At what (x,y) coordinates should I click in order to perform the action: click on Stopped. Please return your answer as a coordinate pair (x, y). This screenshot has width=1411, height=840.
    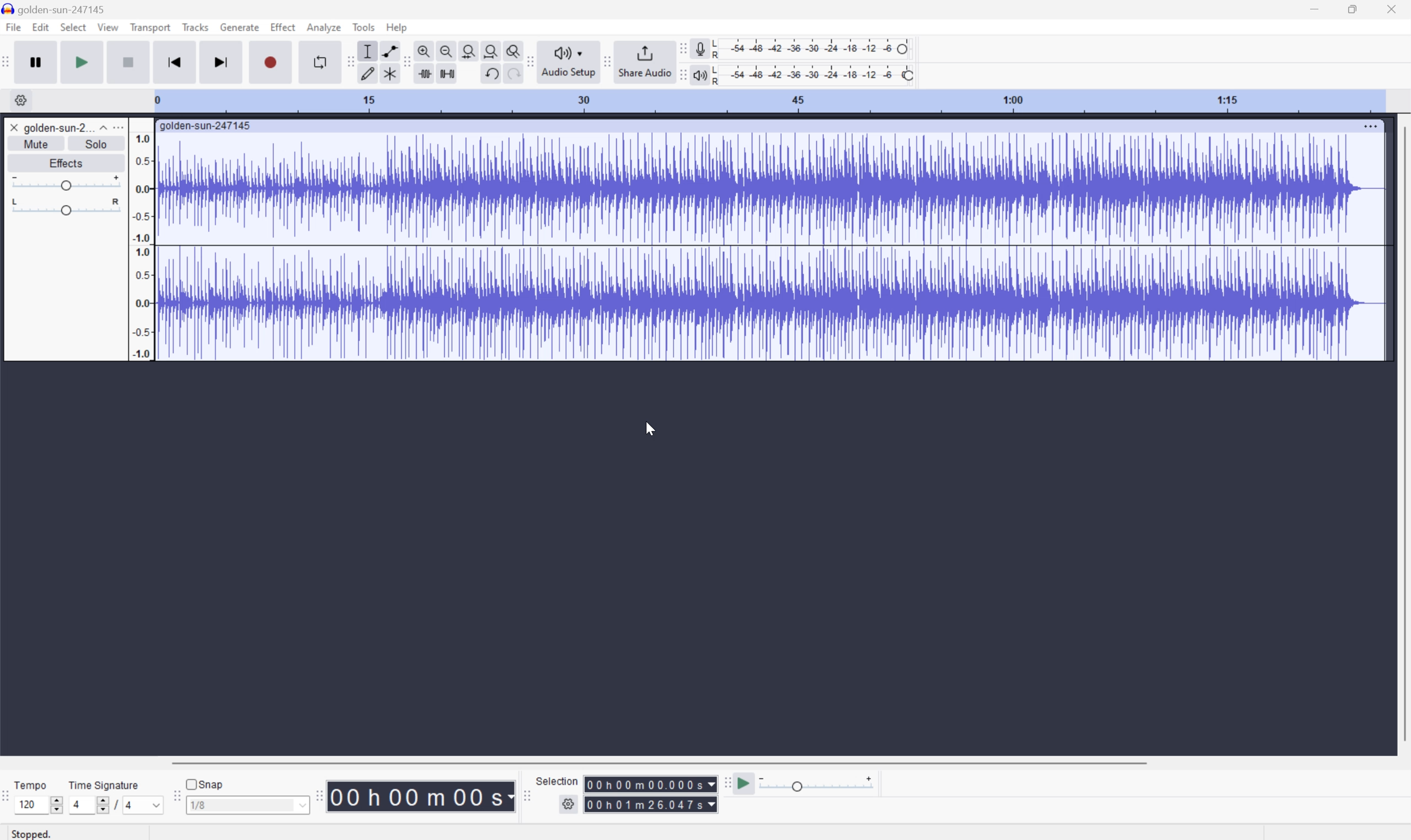
    Looking at the image, I should click on (33, 833).